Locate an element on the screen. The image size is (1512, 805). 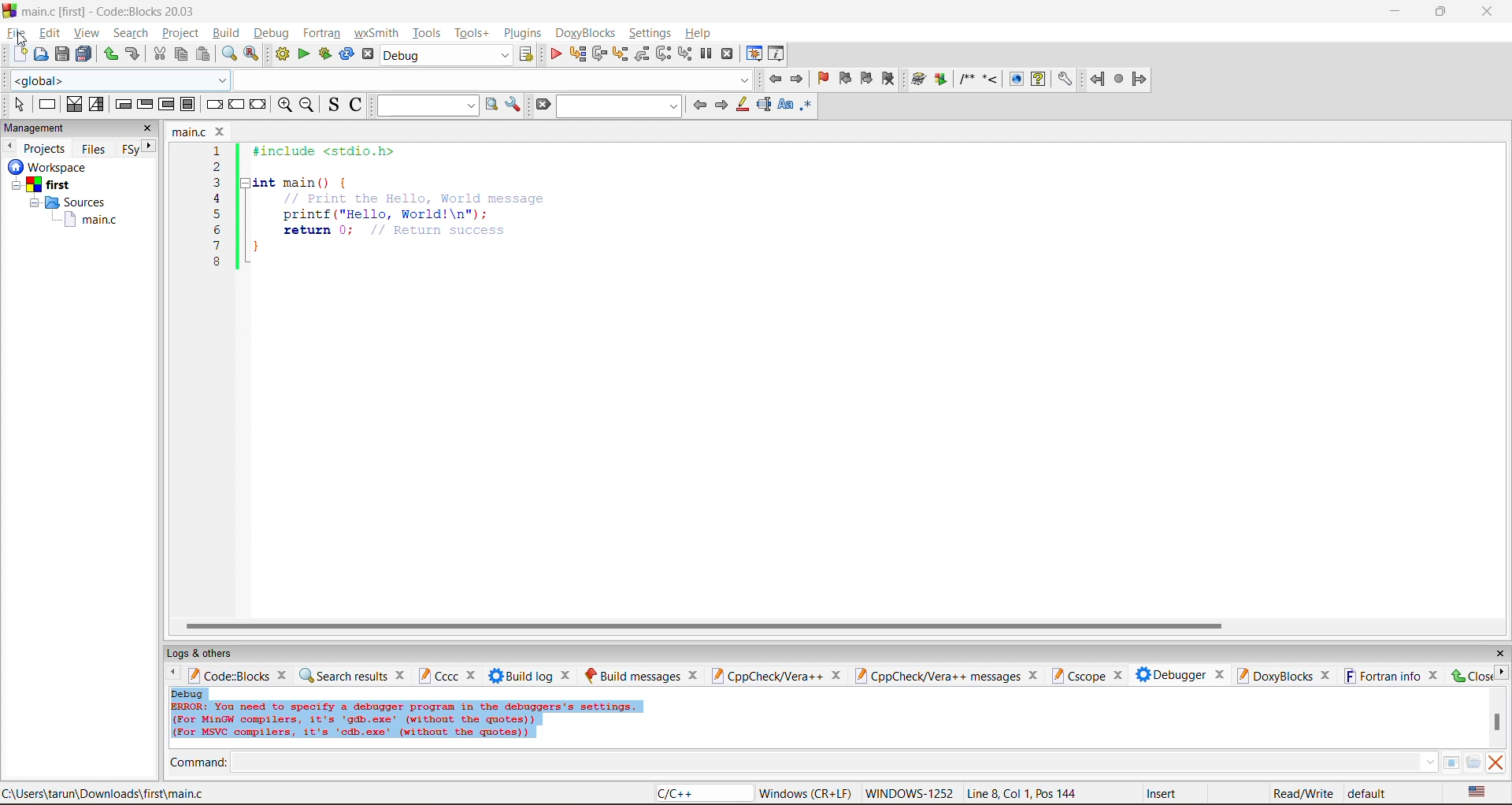
 is located at coordinates (44, 167).